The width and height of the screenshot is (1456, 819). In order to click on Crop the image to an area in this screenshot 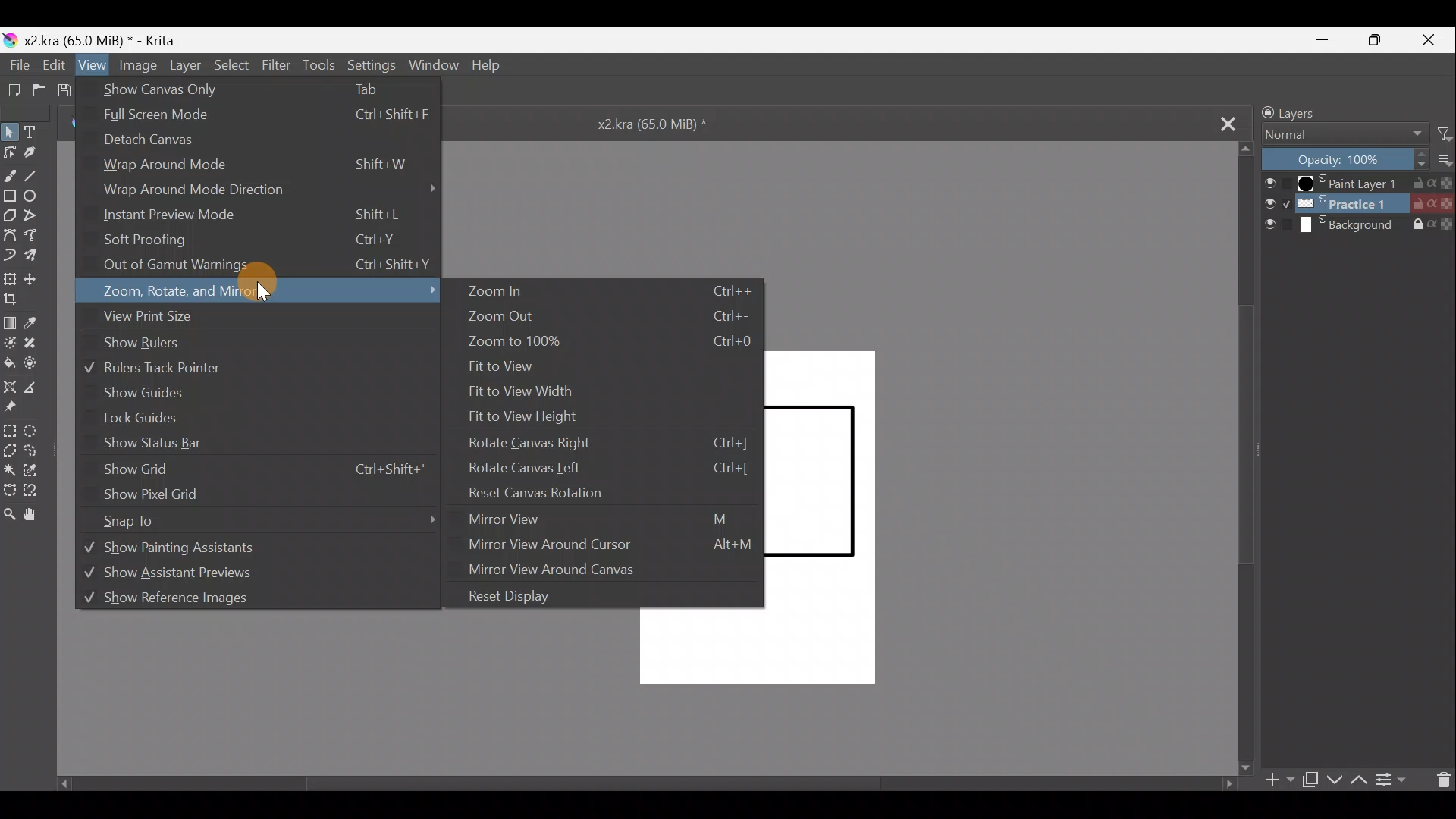, I will do `click(17, 303)`.